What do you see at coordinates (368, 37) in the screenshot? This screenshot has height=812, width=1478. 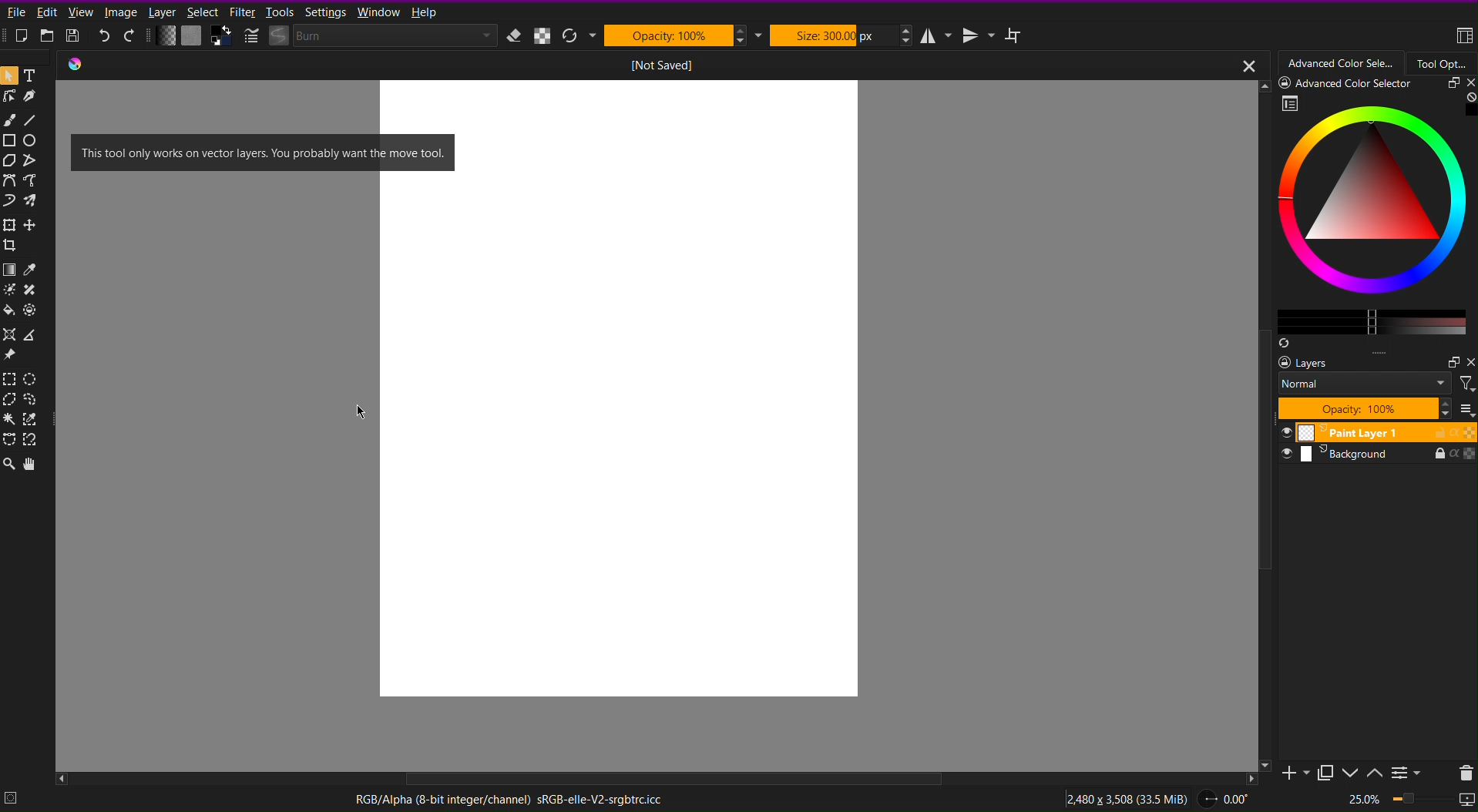 I see `Brush Settings` at bounding box center [368, 37].